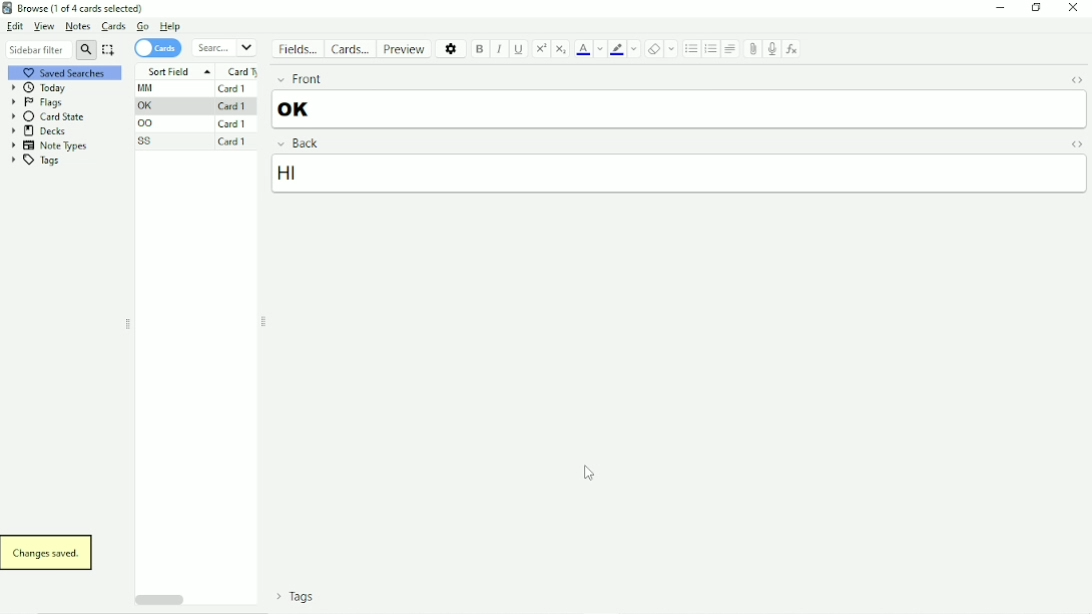  What do you see at coordinates (672, 48) in the screenshot?
I see `Select formatting to remove` at bounding box center [672, 48].